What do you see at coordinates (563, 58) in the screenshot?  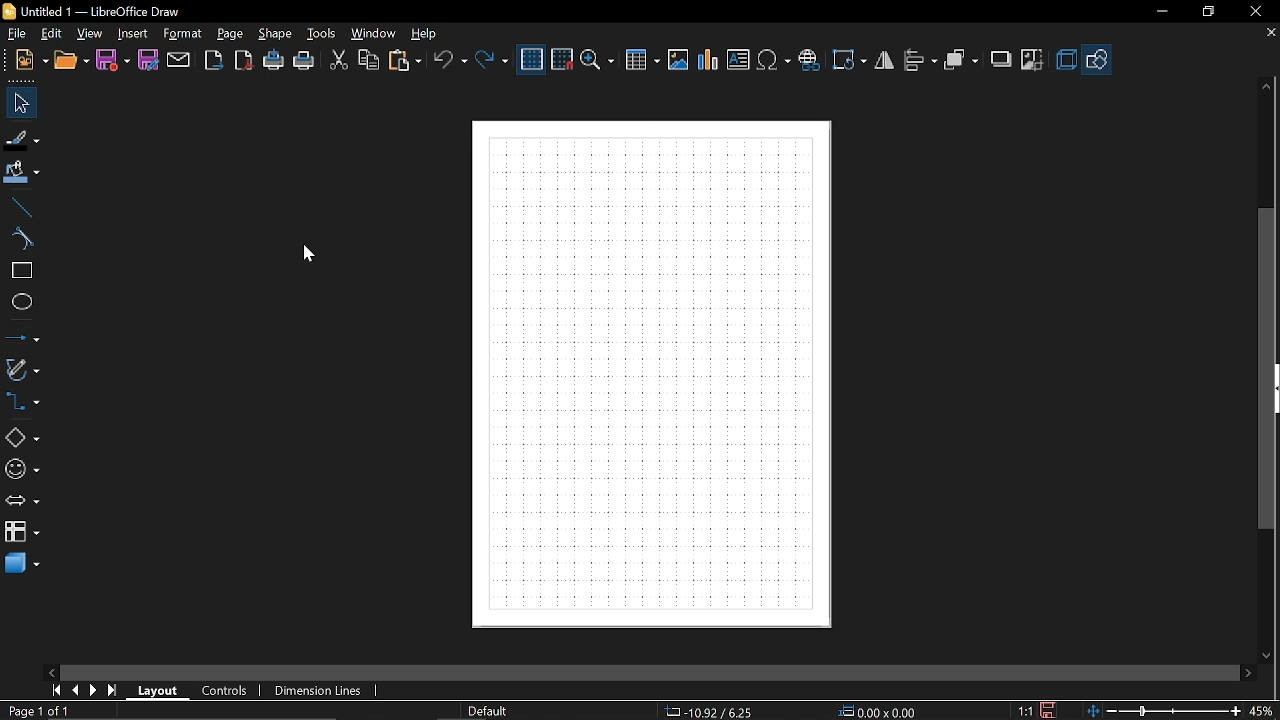 I see `snap to grid` at bounding box center [563, 58].